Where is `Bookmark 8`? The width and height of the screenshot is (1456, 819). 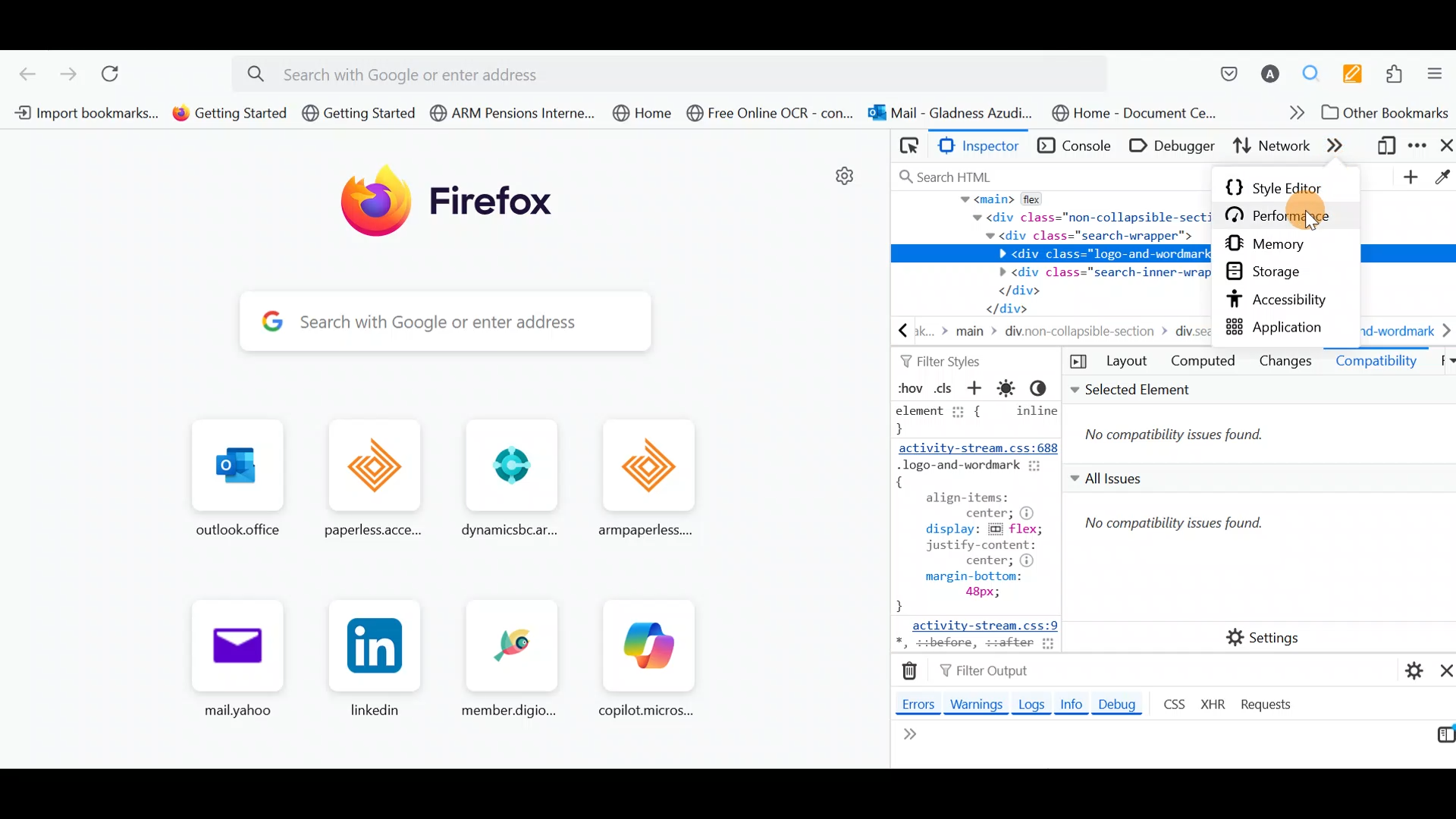
Bookmark 8 is located at coordinates (1131, 112).